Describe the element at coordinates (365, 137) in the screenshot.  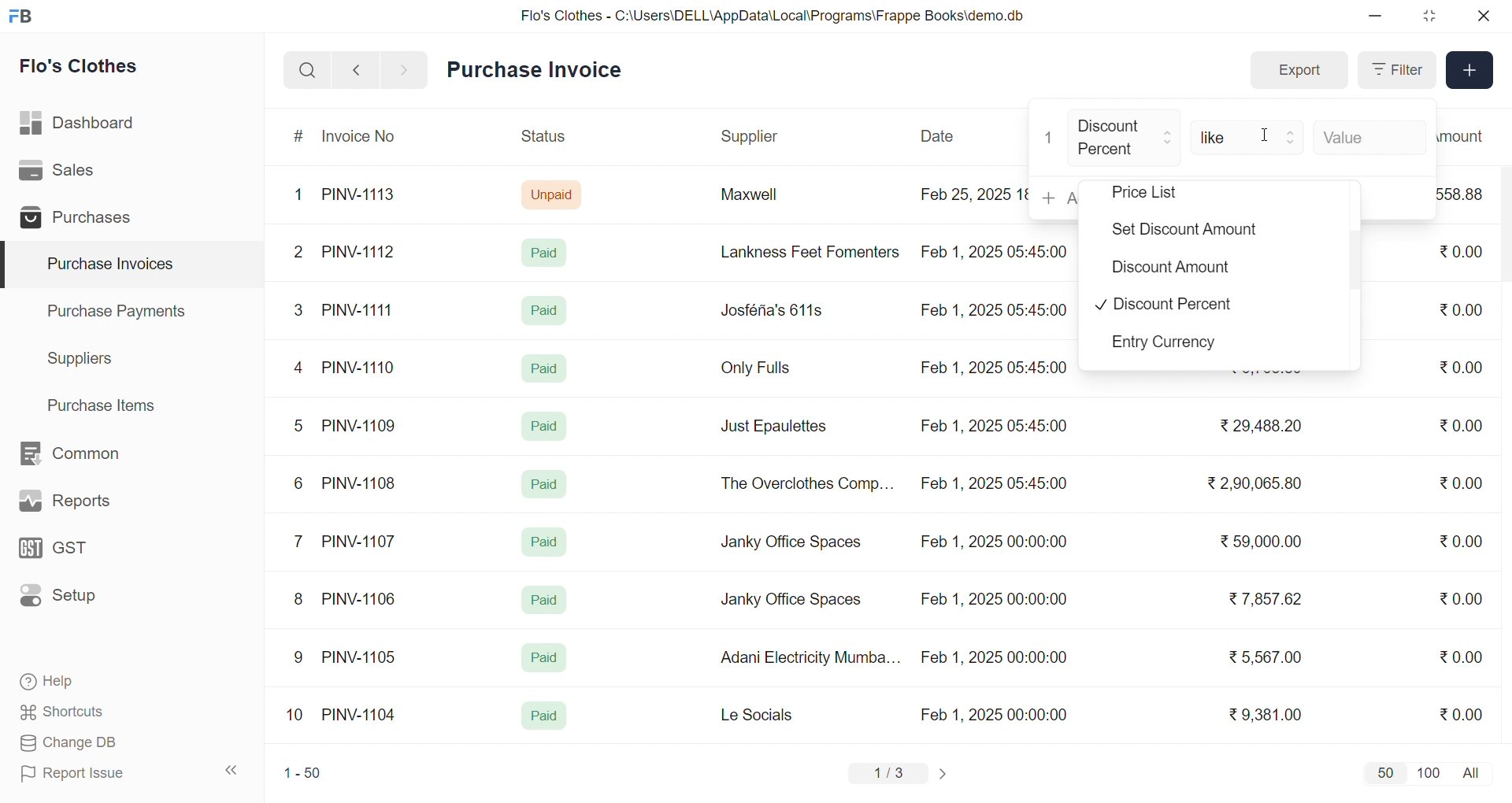
I see `Invoice No` at that location.